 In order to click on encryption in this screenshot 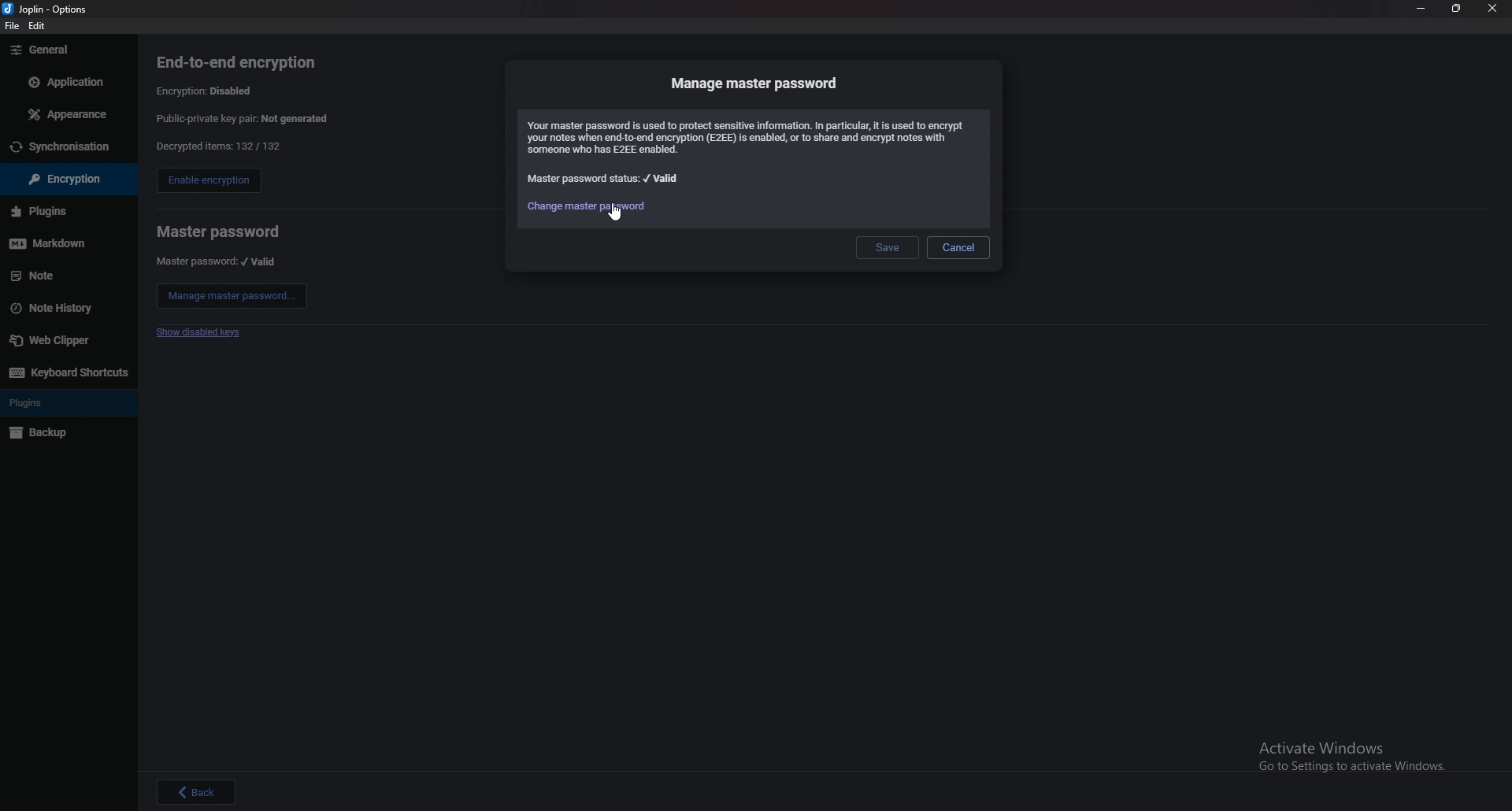, I will do `click(209, 90)`.